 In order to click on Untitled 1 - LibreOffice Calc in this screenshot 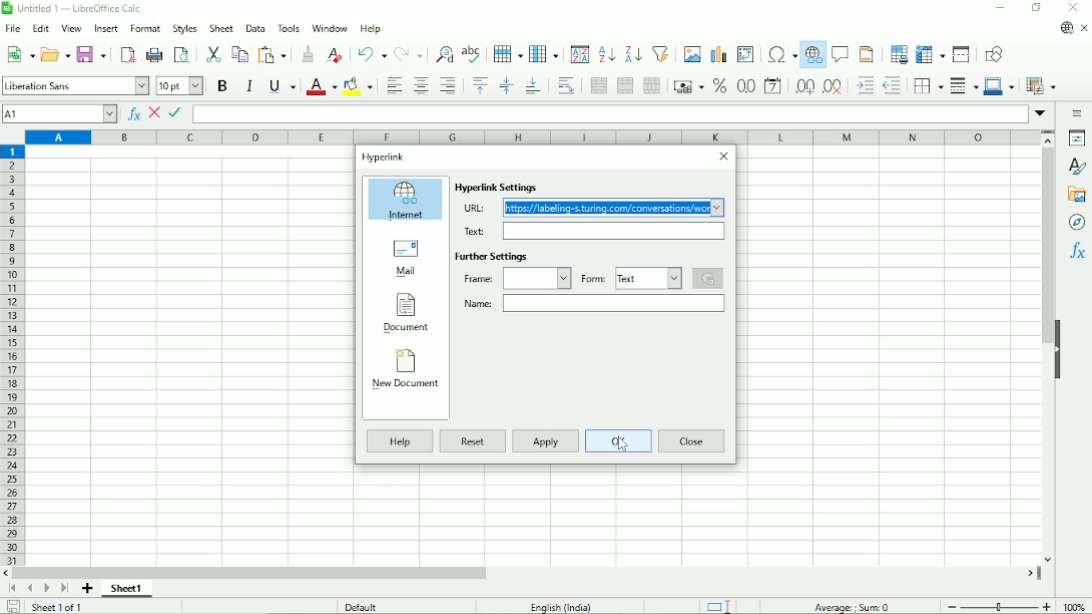, I will do `click(76, 9)`.